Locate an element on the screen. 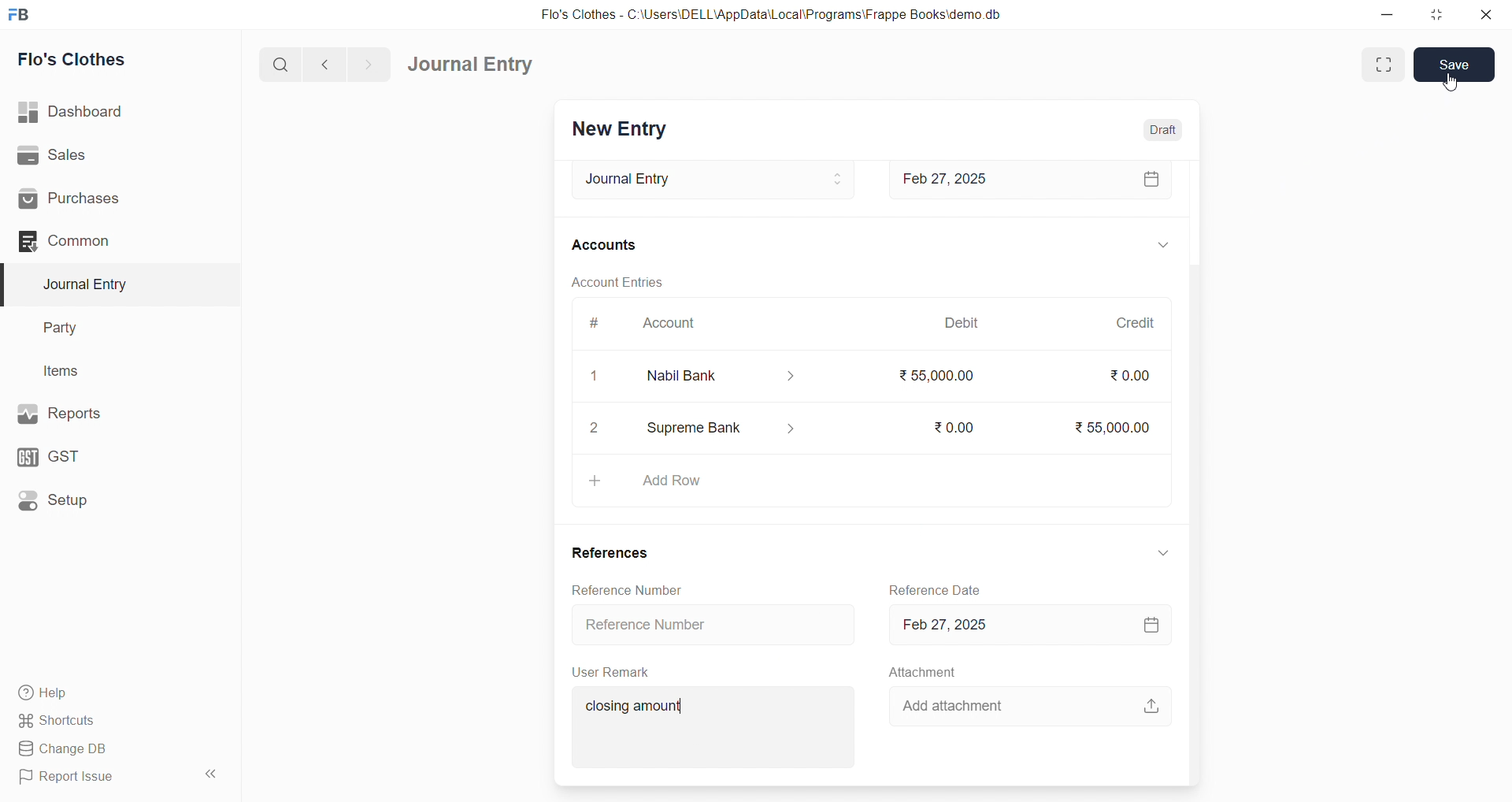 Image resolution: width=1512 pixels, height=802 pixels. closing amount is located at coordinates (636, 702).